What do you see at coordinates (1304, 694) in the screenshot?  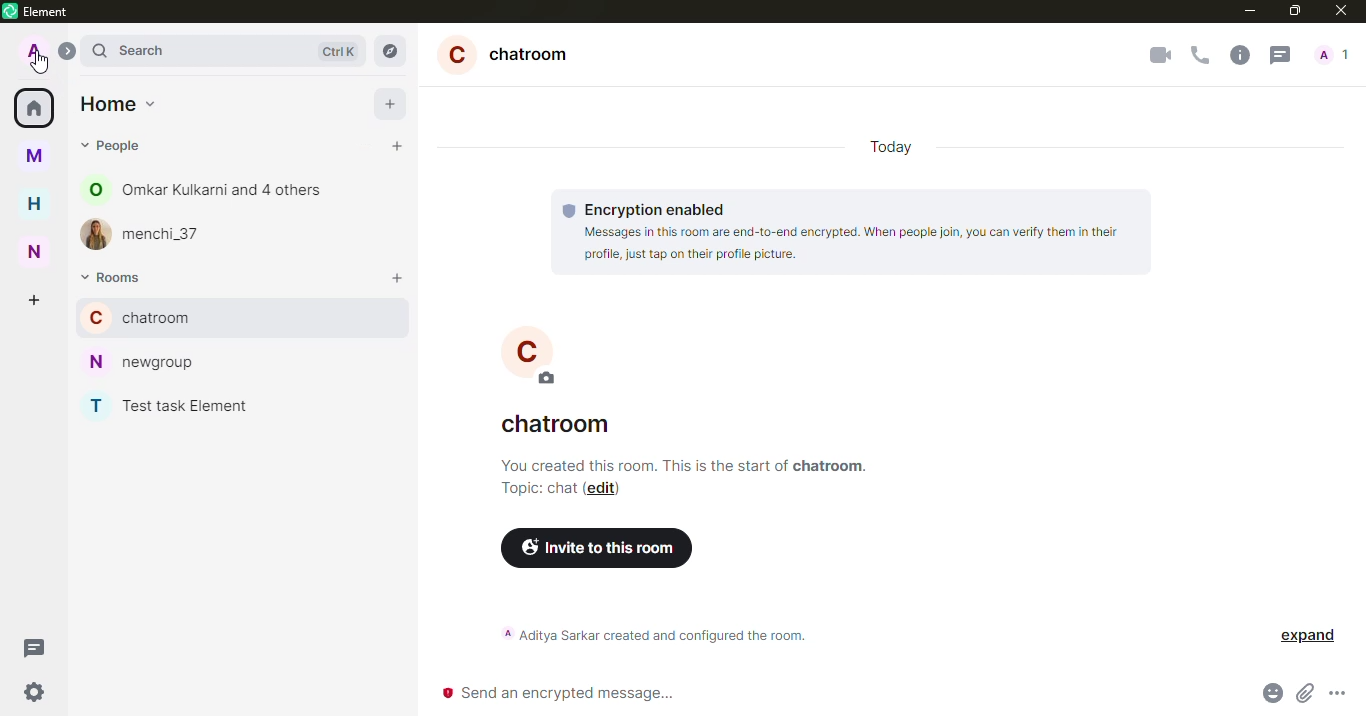 I see `attach` at bounding box center [1304, 694].